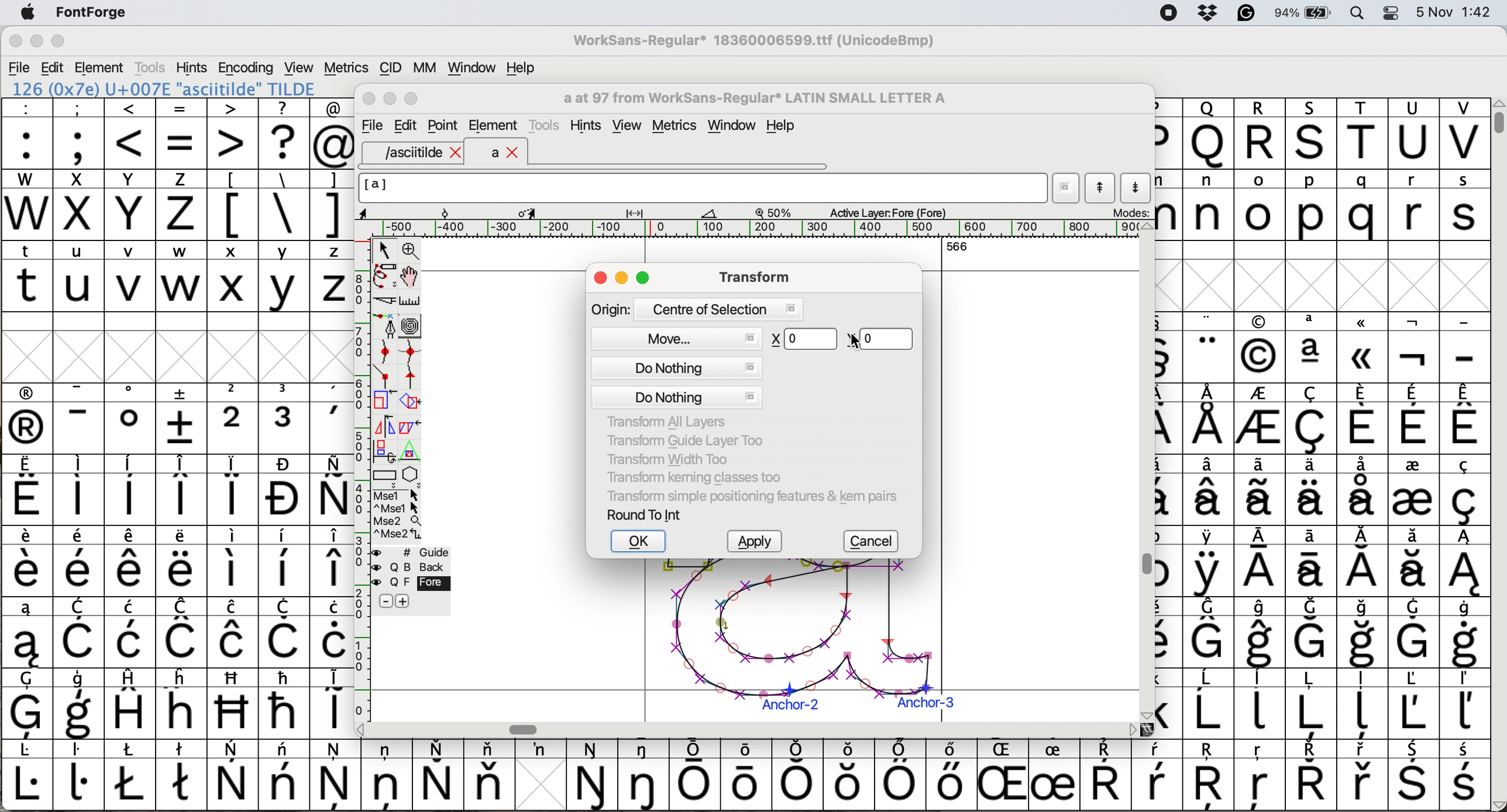  Describe the element at coordinates (679, 127) in the screenshot. I see `metrics` at that location.